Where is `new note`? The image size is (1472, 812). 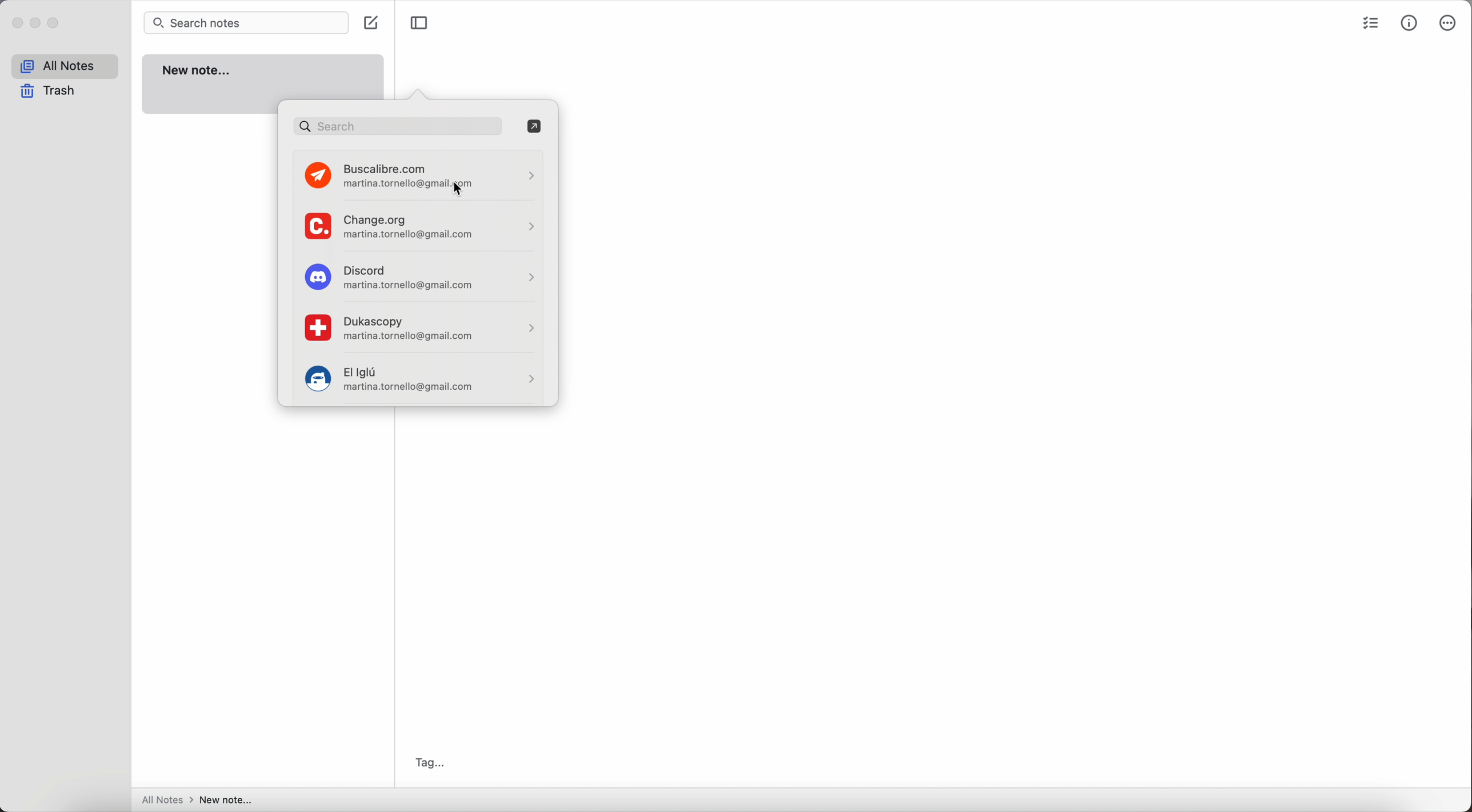
new note is located at coordinates (266, 75).